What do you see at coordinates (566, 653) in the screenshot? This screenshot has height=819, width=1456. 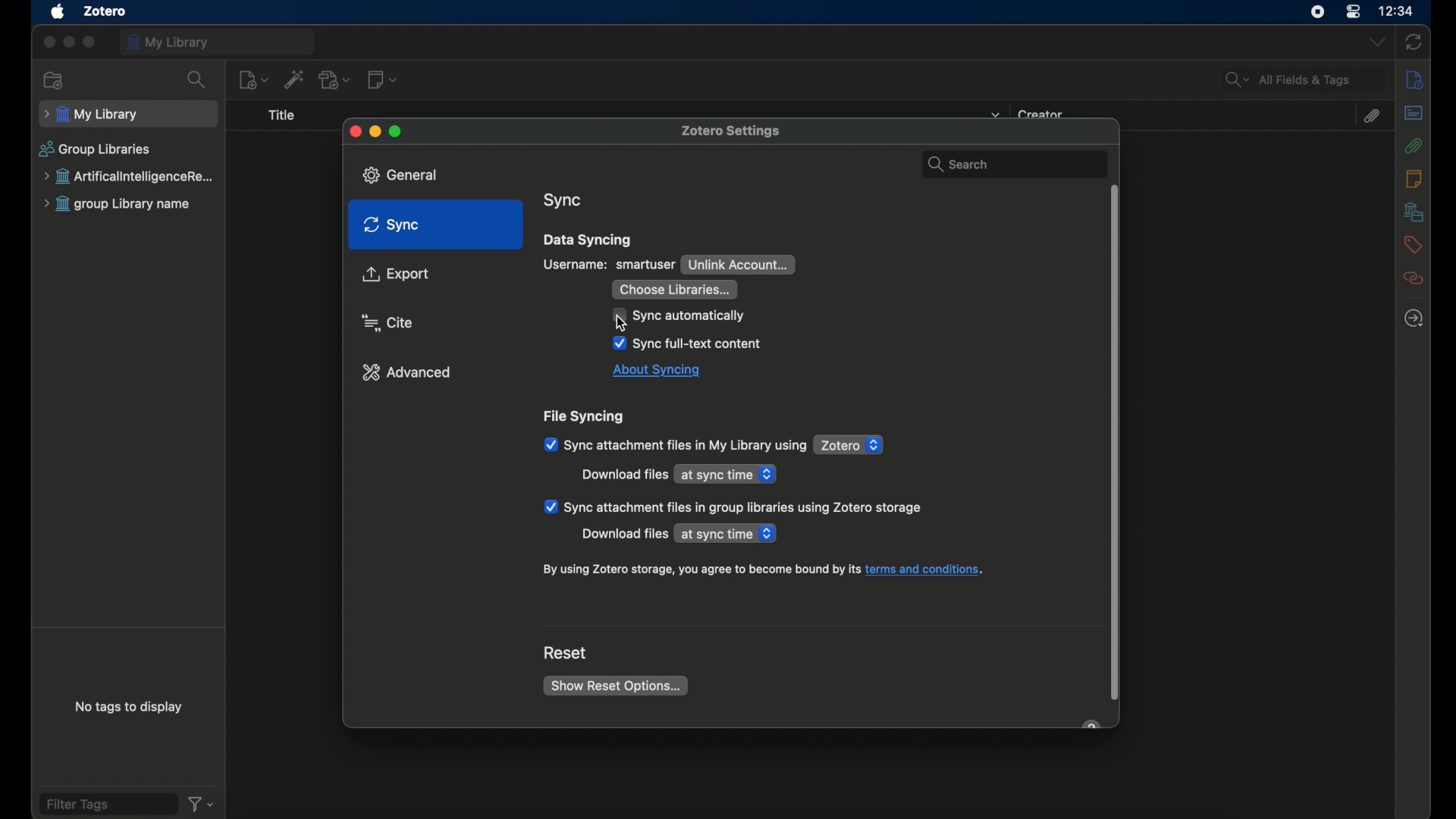 I see `reset` at bounding box center [566, 653].